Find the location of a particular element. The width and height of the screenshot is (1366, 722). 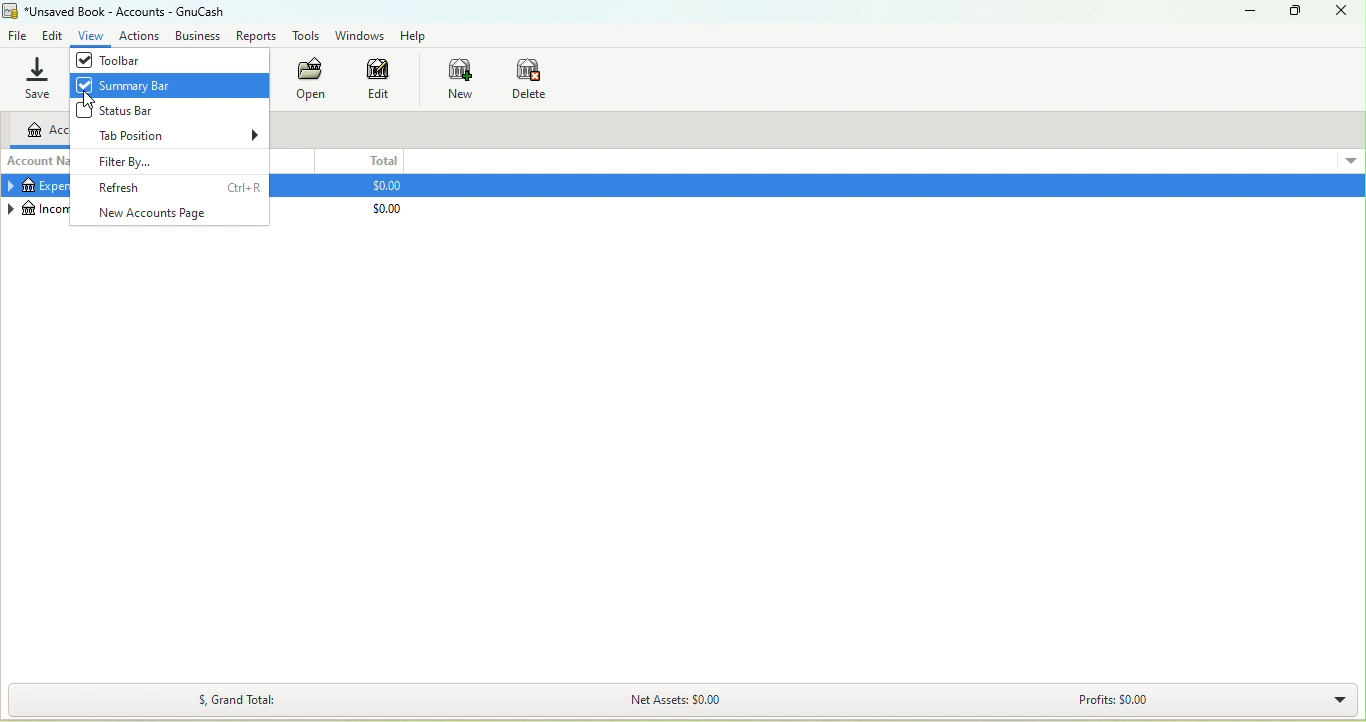

Summary bar is located at coordinates (172, 85).